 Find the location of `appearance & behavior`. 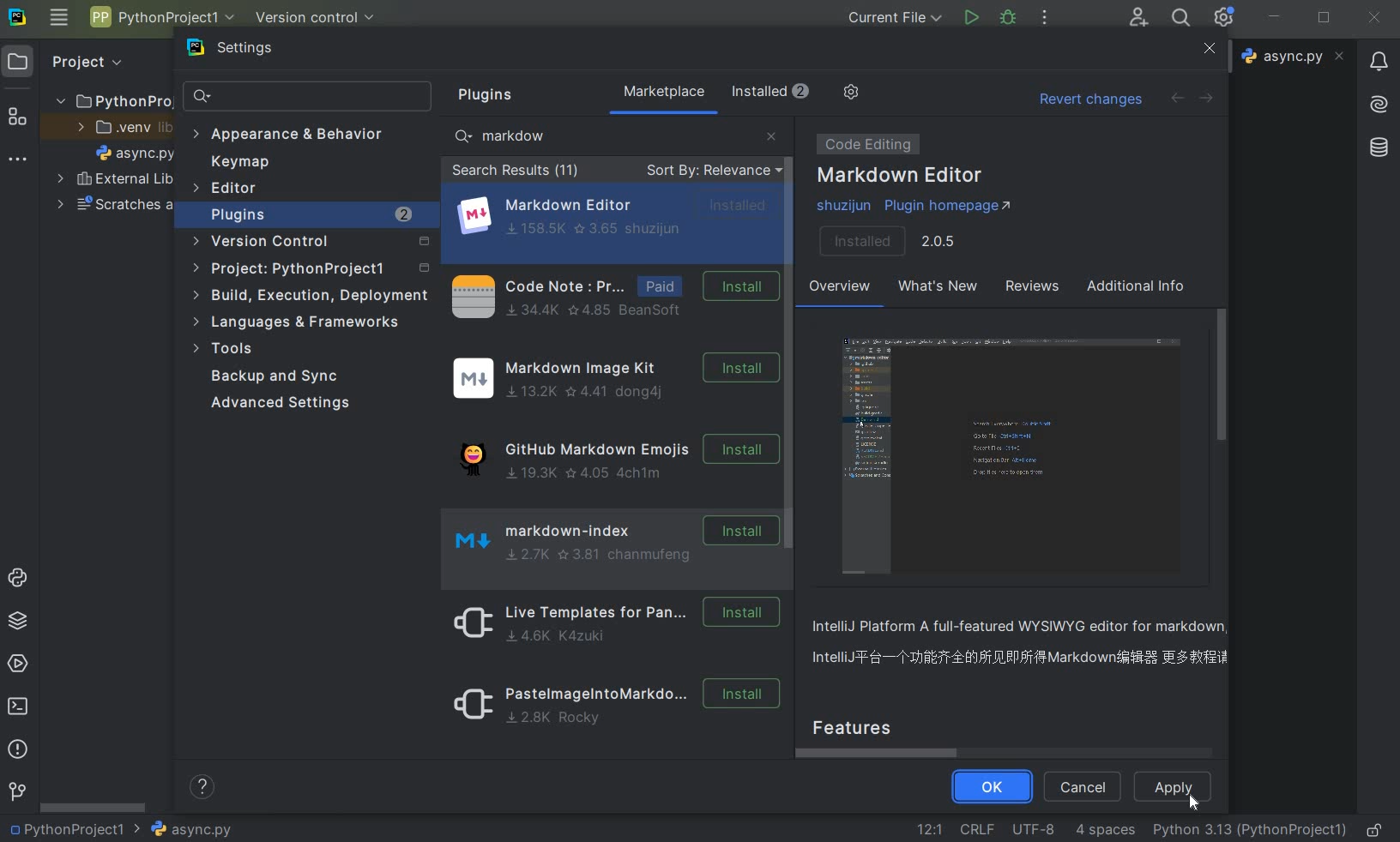

appearance & behavior is located at coordinates (288, 135).